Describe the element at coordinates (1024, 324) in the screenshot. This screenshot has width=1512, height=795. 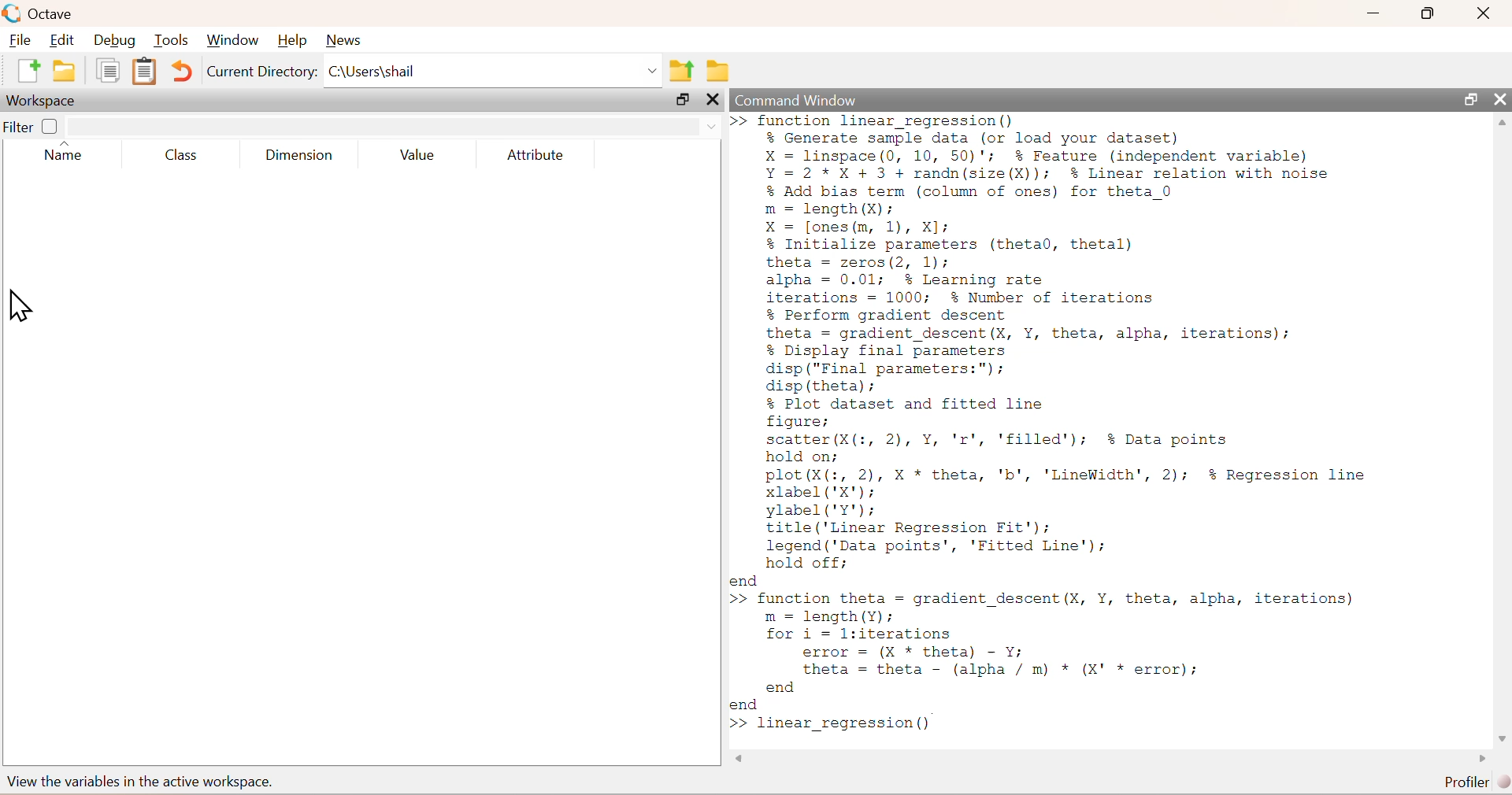
I see `theta = zeros(2, 1);alpha = 0.01; % Learning rateiterations = 1000; % Number of iterations% Perform gradient descenttheta = gradient_descent(X, Y, theta, alpha, iterations);% Display final parametersdisp ("Final parameters:");disp (theta);` at that location.